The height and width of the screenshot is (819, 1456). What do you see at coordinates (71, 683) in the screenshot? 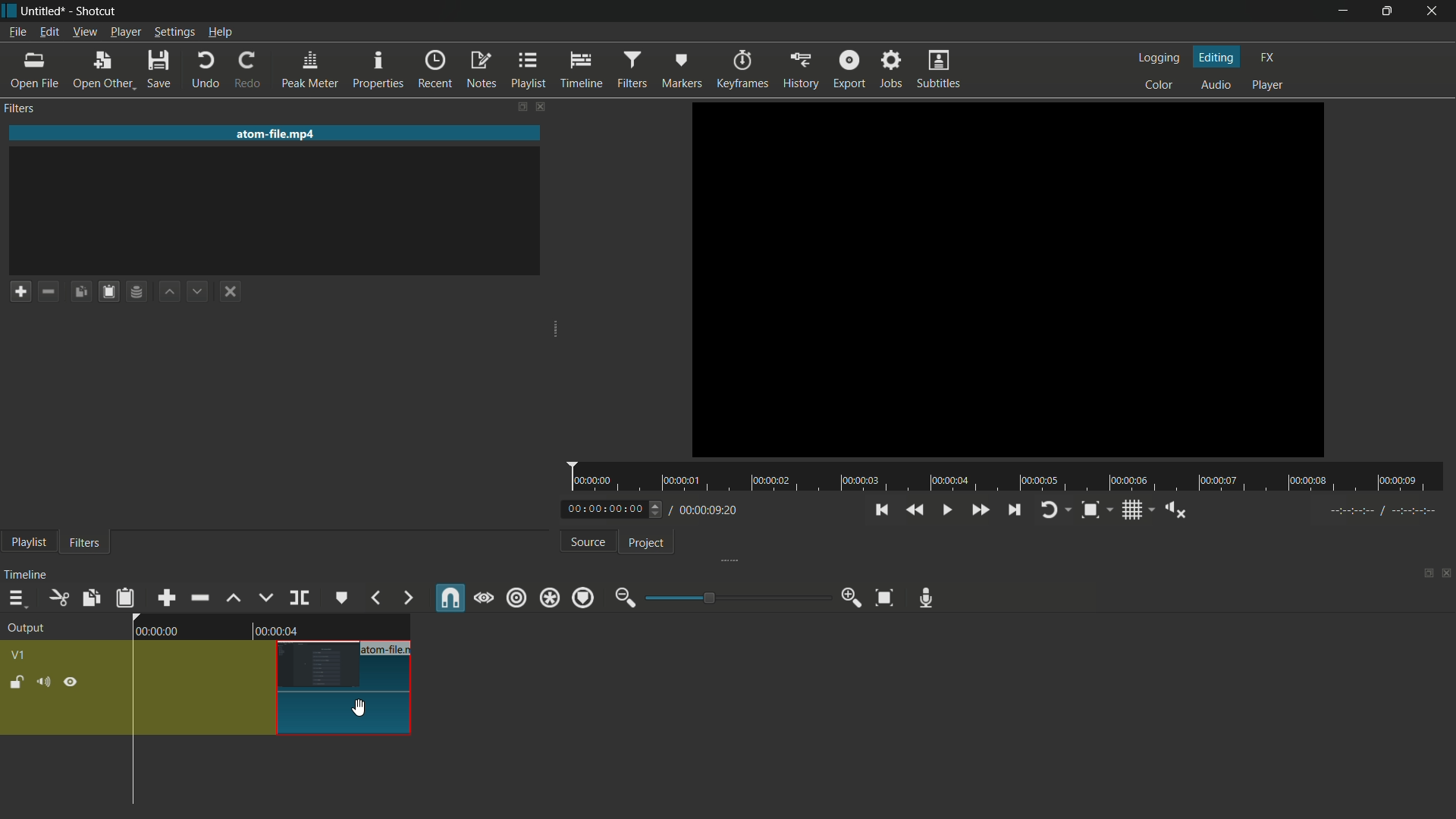
I see `hide/show` at bounding box center [71, 683].